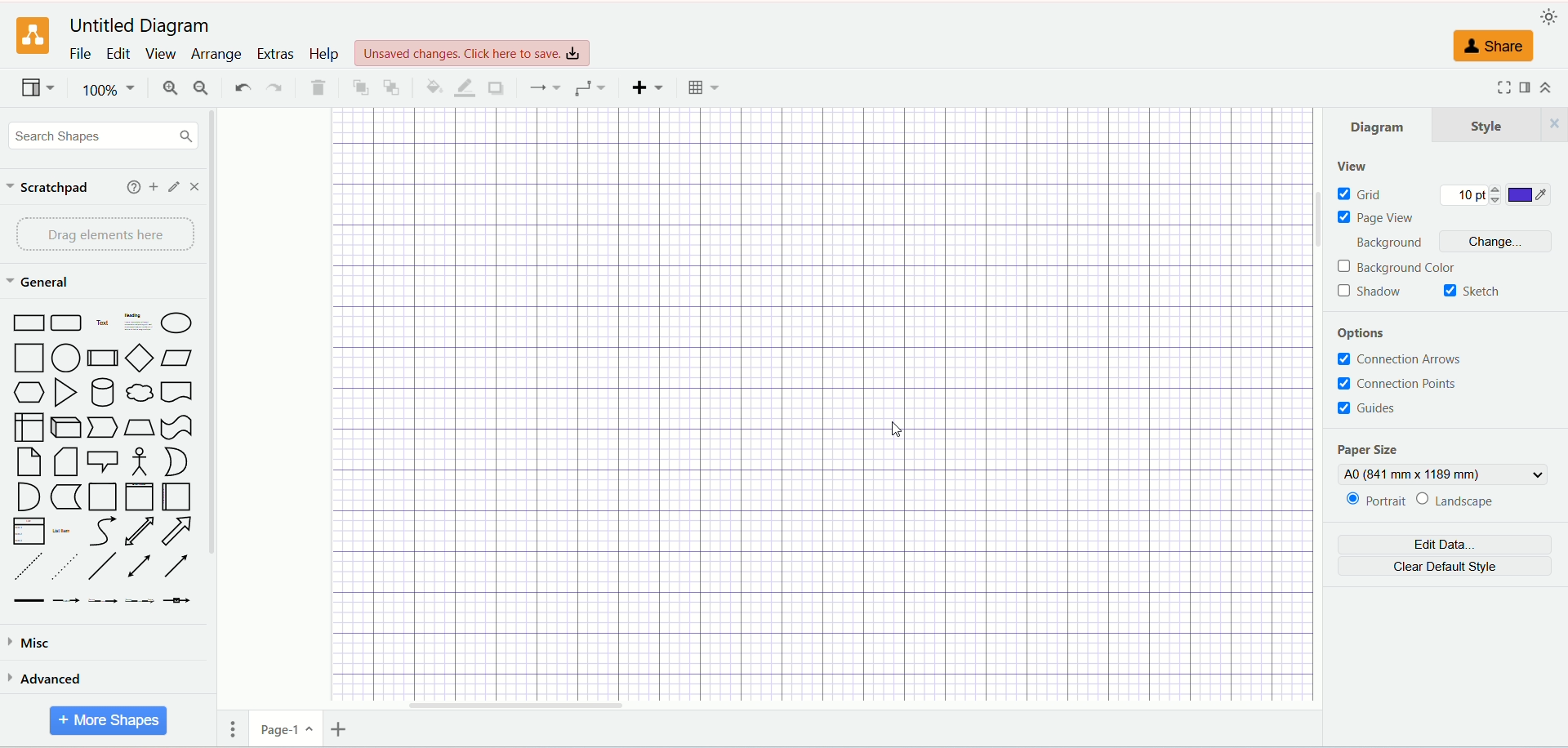 This screenshot has height=748, width=1568. What do you see at coordinates (100, 679) in the screenshot?
I see `advanced` at bounding box center [100, 679].